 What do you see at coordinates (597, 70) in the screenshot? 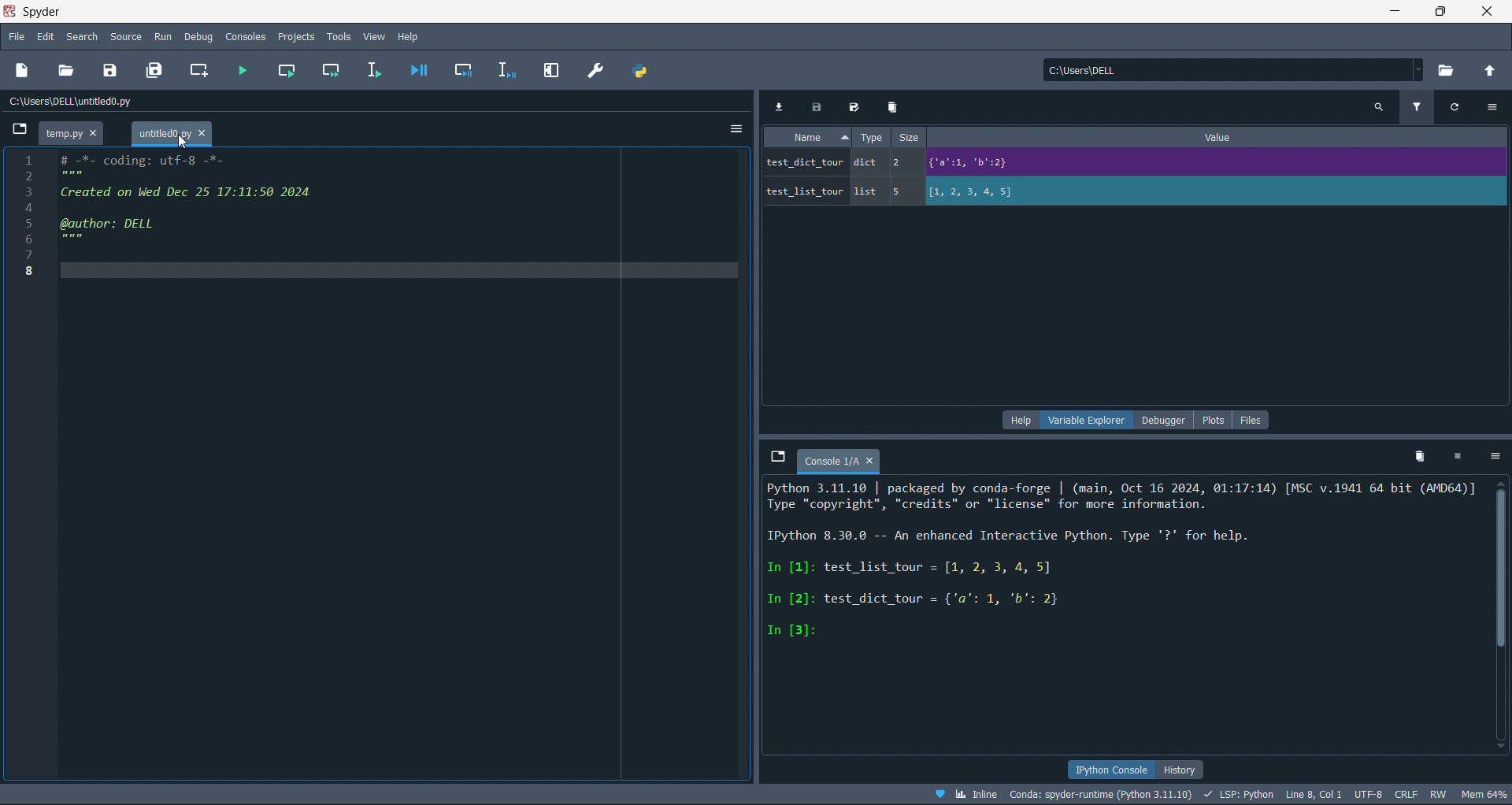
I see `preference` at bounding box center [597, 70].